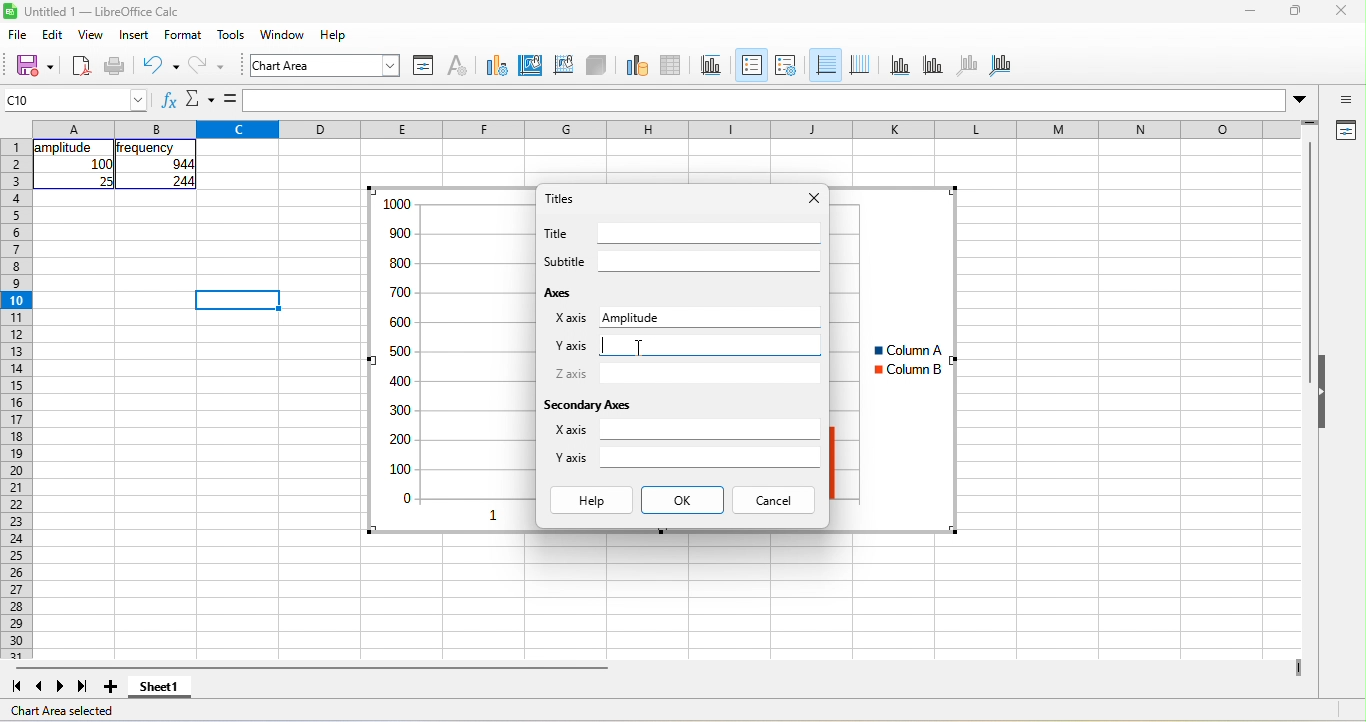 The image size is (1366, 722). Describe the element at coordinates (60, 687) in the screenshot. I see `next sheet` at that location.